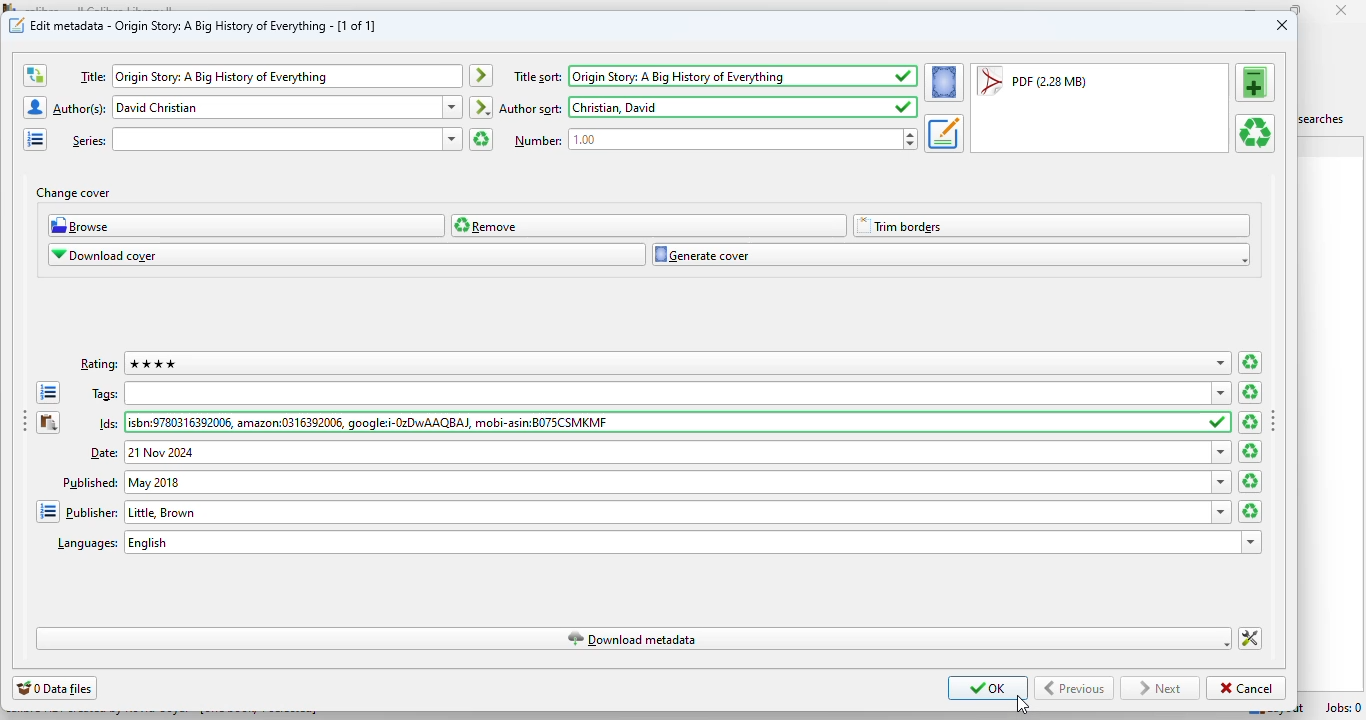 This screenshot has height=720, width=1366. I want to click on toggle sidebar, so click(1274, 419).